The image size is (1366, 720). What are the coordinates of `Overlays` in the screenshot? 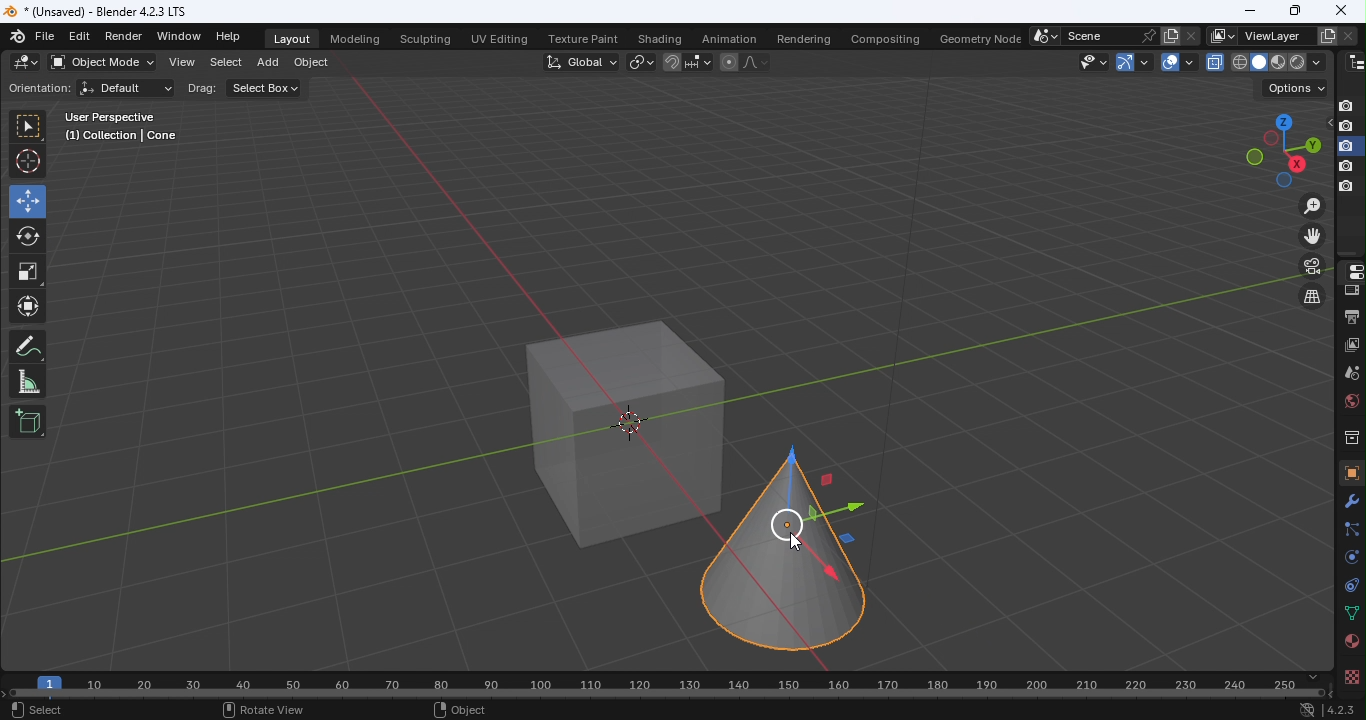 It's located at (1189, 62).